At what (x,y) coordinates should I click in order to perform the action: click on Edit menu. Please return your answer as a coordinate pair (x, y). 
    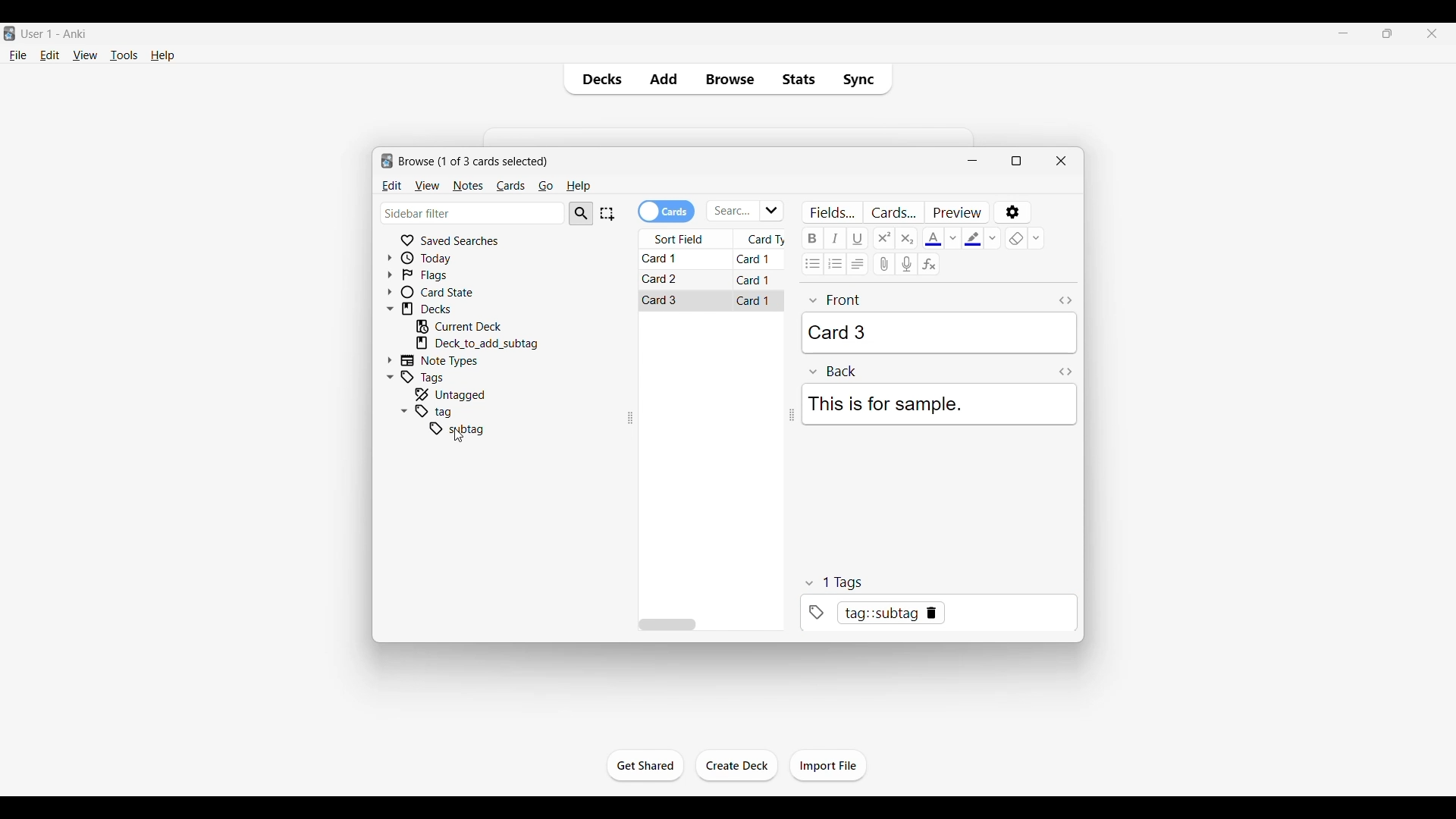
    Looking at the image, I should click on (392, 187).